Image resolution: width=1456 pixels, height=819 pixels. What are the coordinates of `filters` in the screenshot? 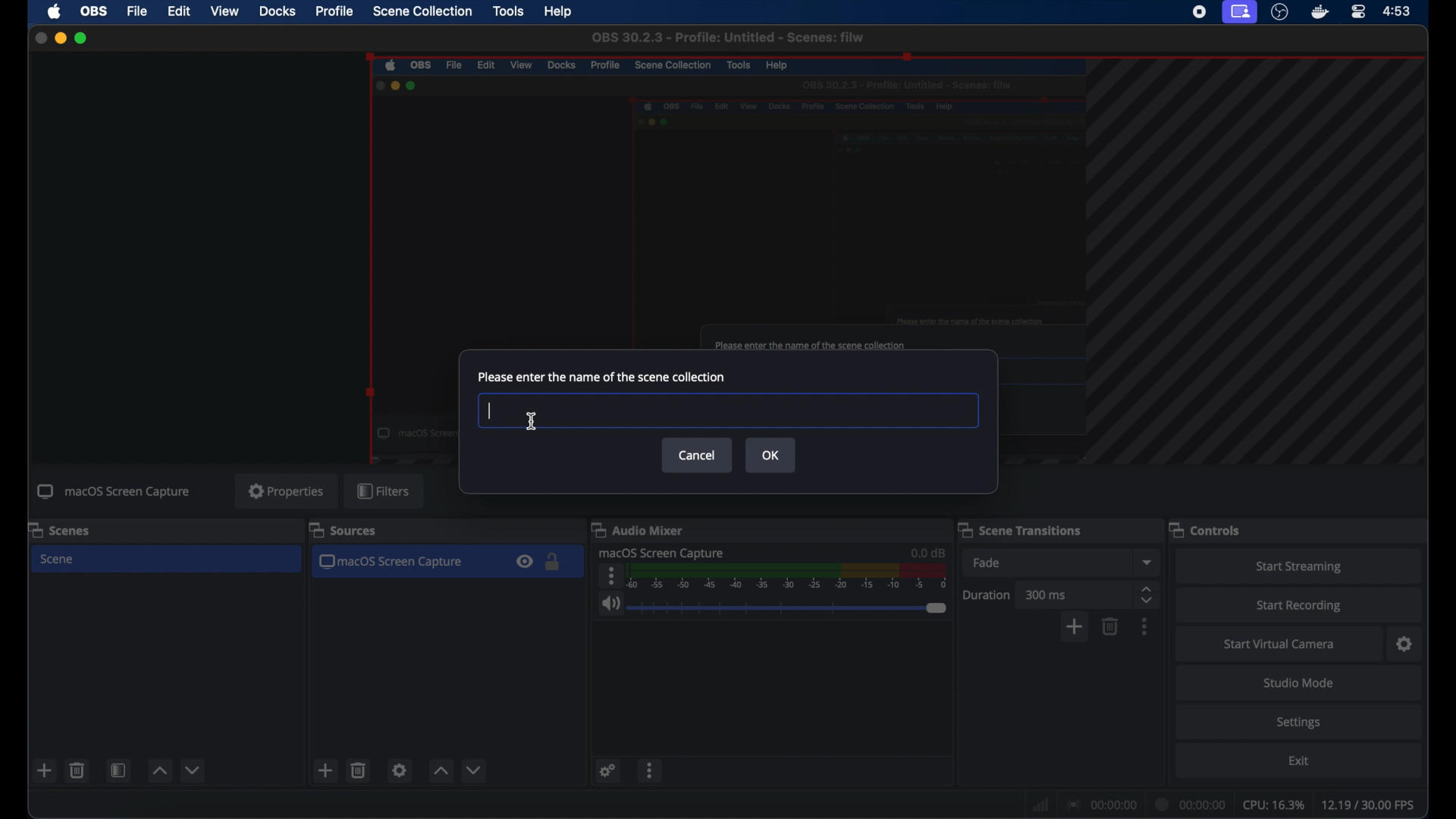 It's located at (385, 491).